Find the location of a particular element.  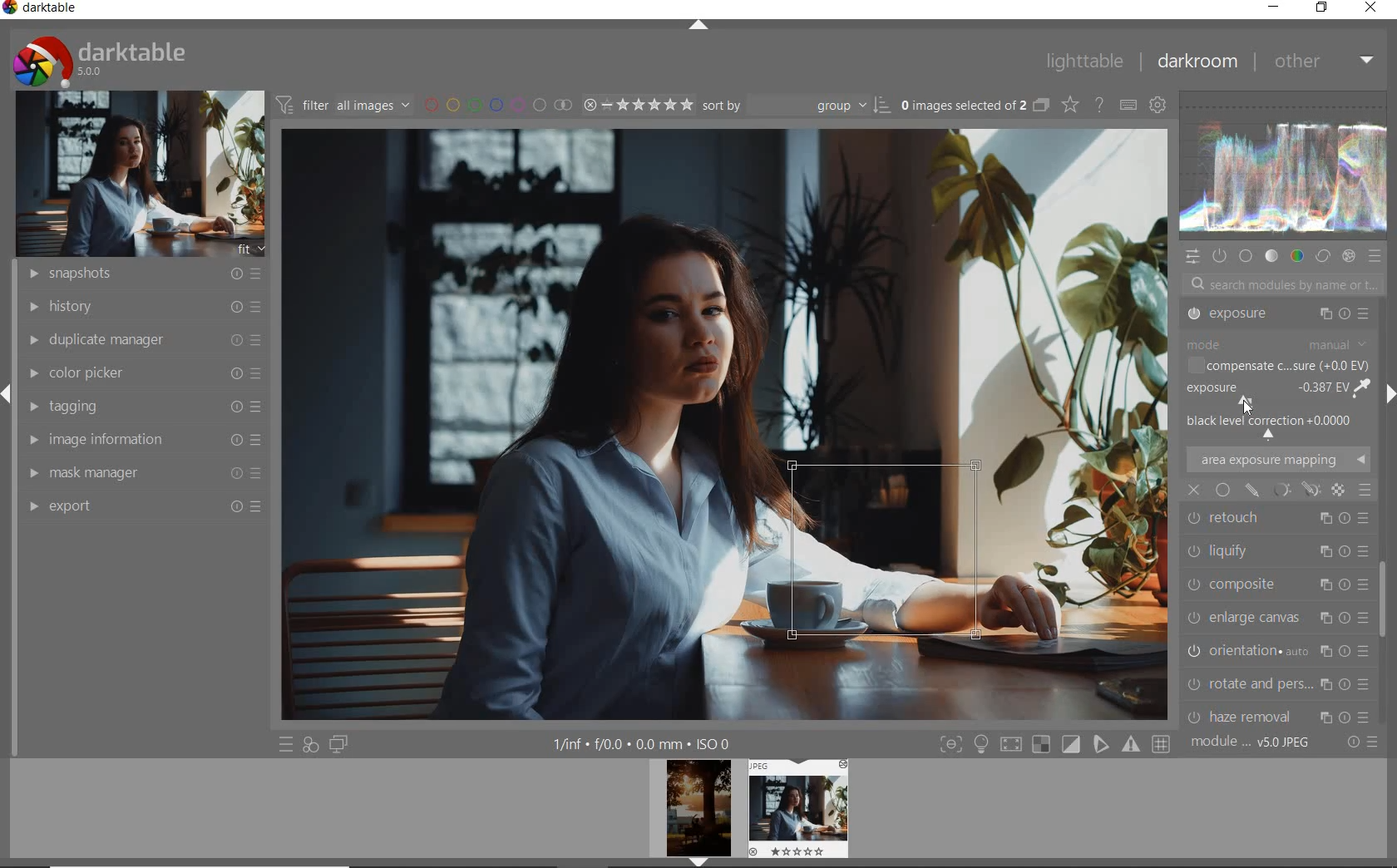

EFFECT is located at coordinates (1348, 256).